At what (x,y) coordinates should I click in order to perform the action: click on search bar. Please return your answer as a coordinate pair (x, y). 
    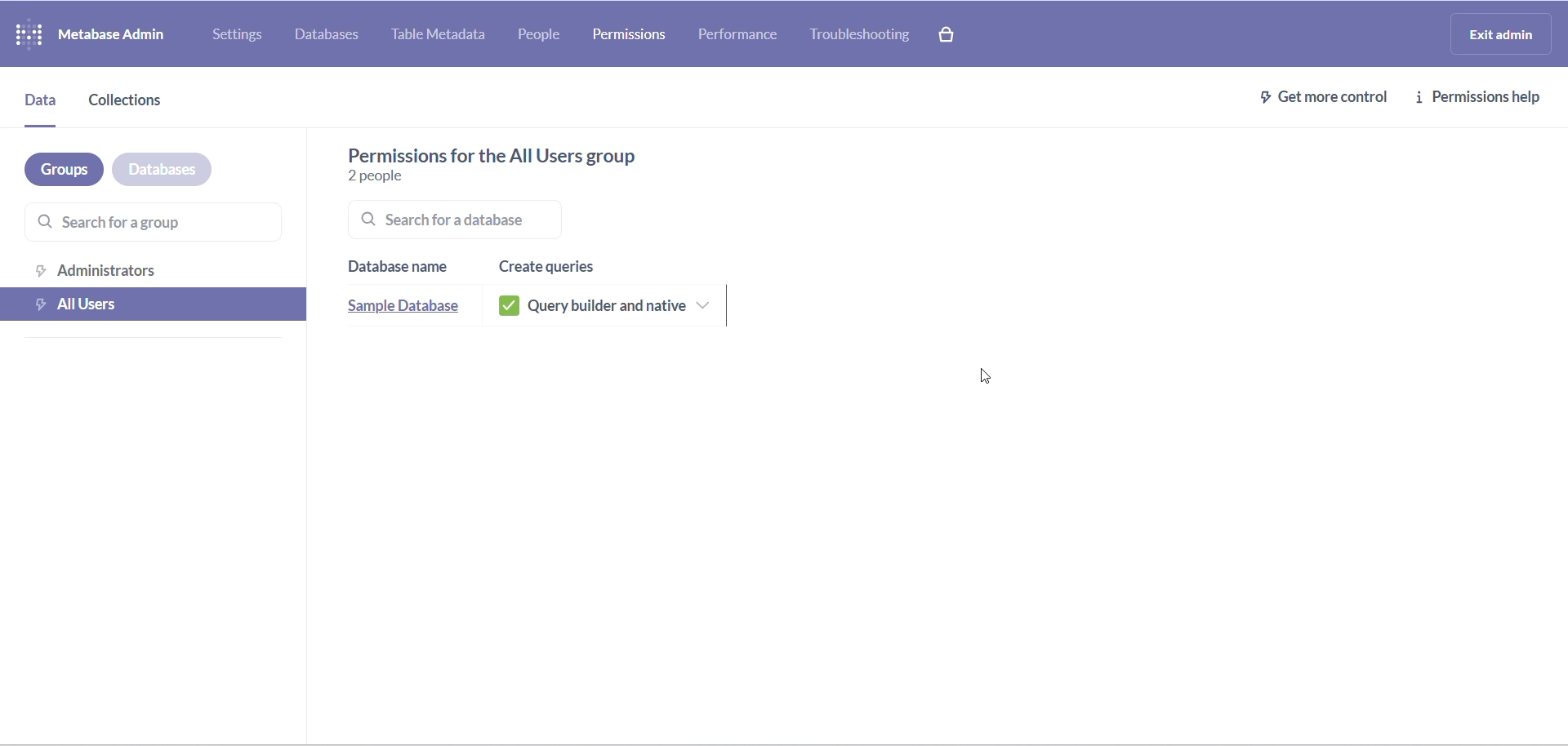
    Looking at the image, I should click on (496, 219).